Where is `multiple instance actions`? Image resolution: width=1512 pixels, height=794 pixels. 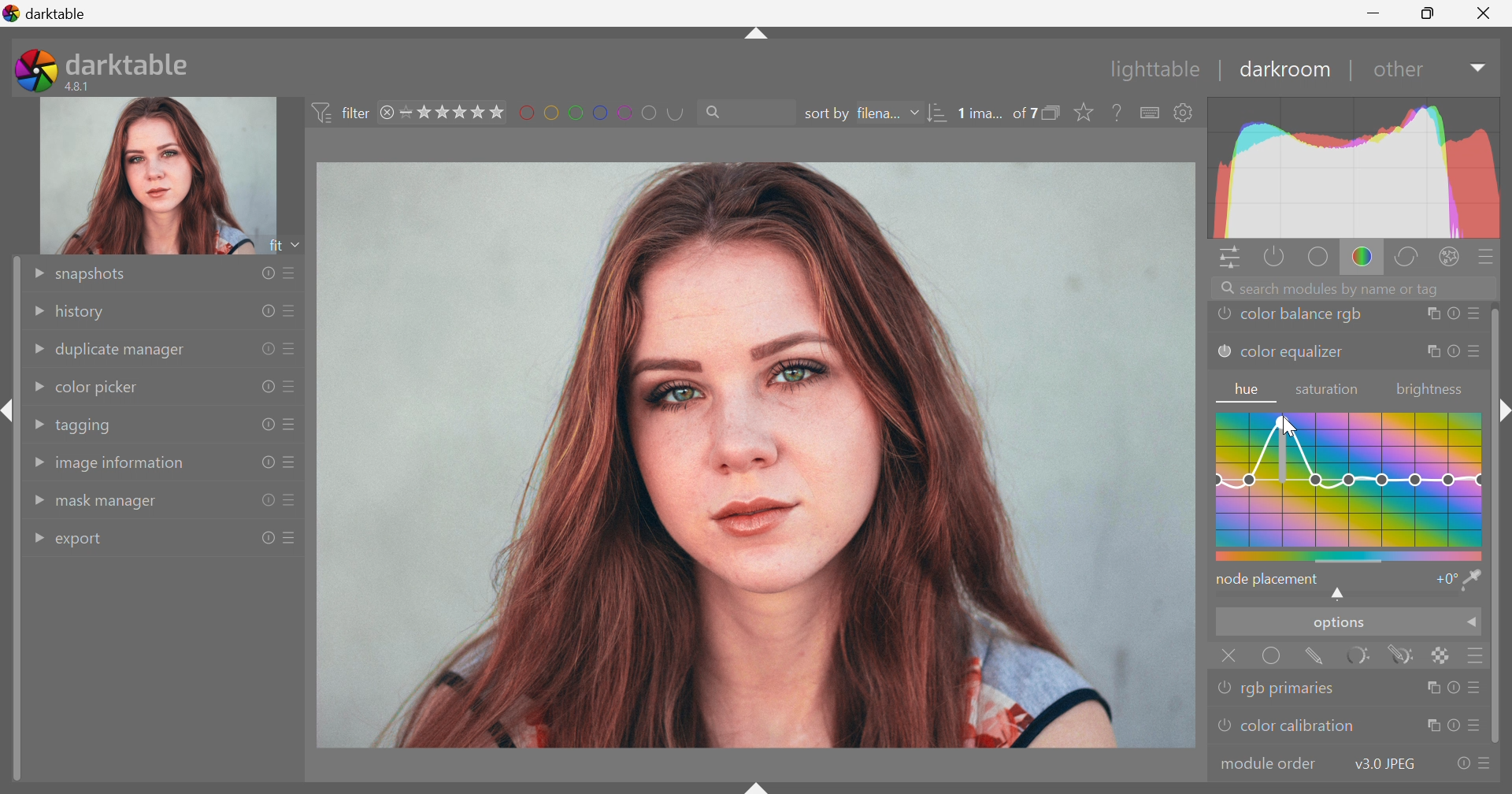 multiple instance actions is located at coordinates (1431, 726).